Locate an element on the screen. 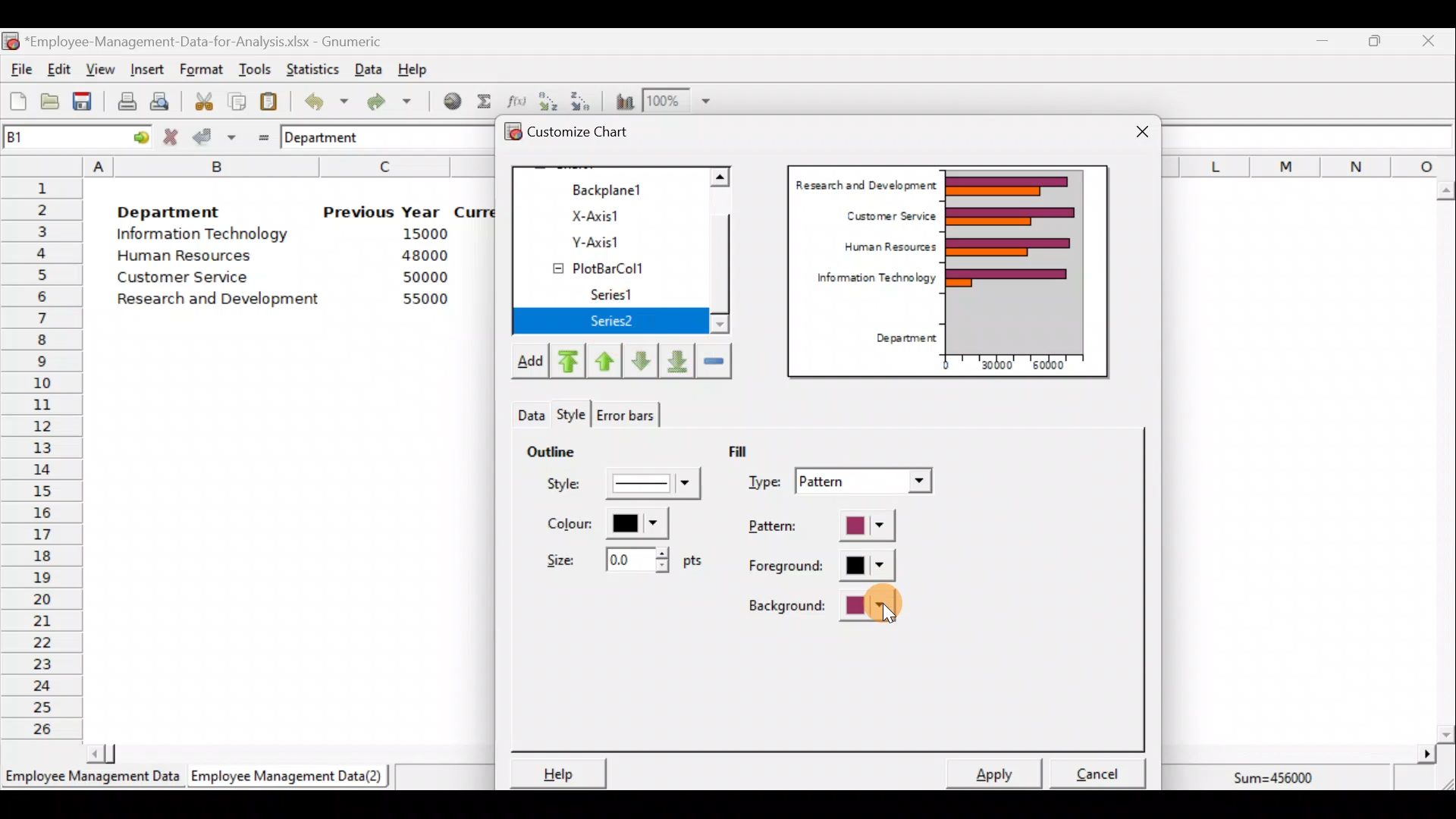  Research and Development is located at coordinates (865, 183).